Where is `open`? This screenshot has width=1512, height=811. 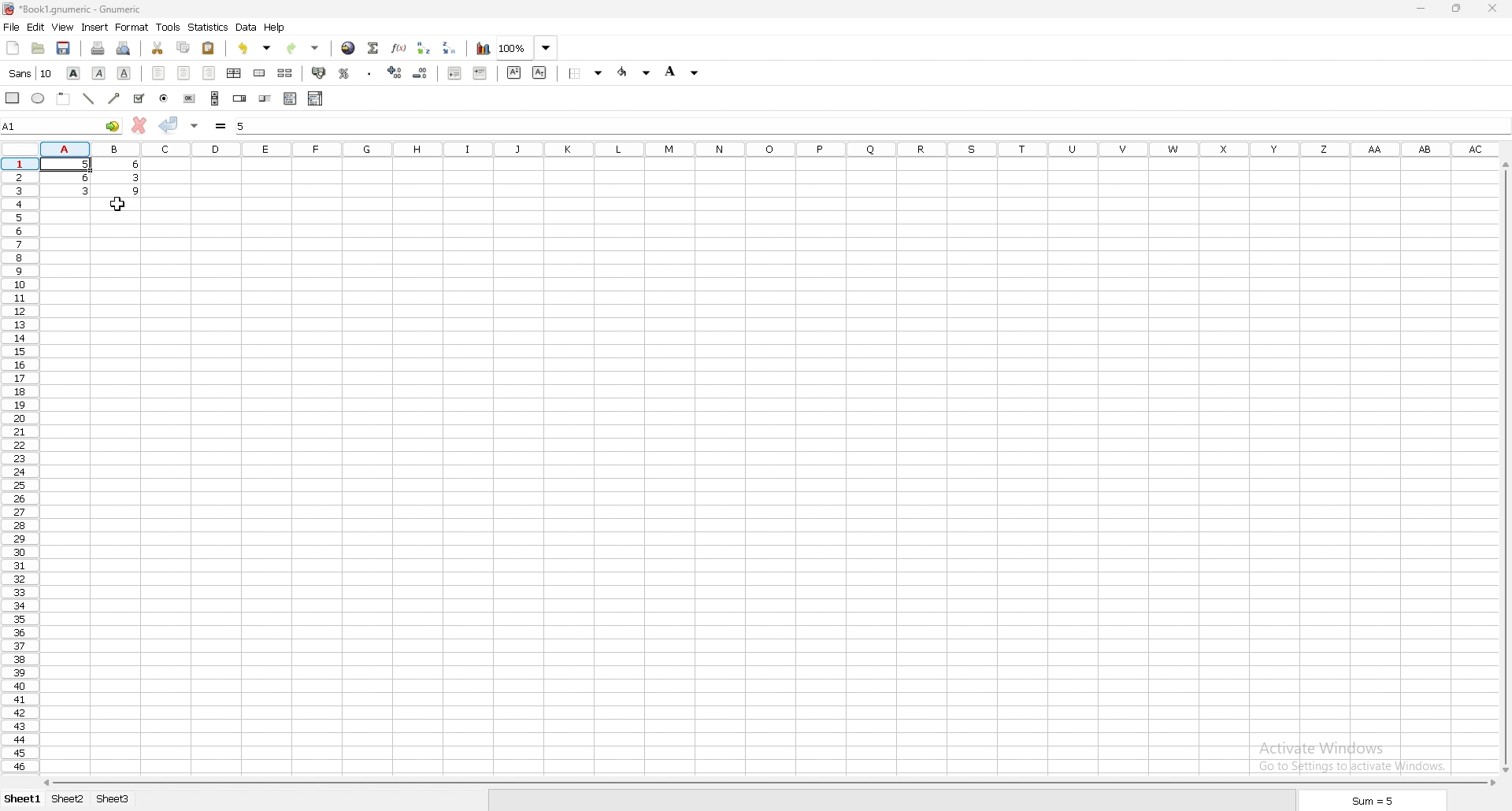
open is located at coordinates (38, 49).